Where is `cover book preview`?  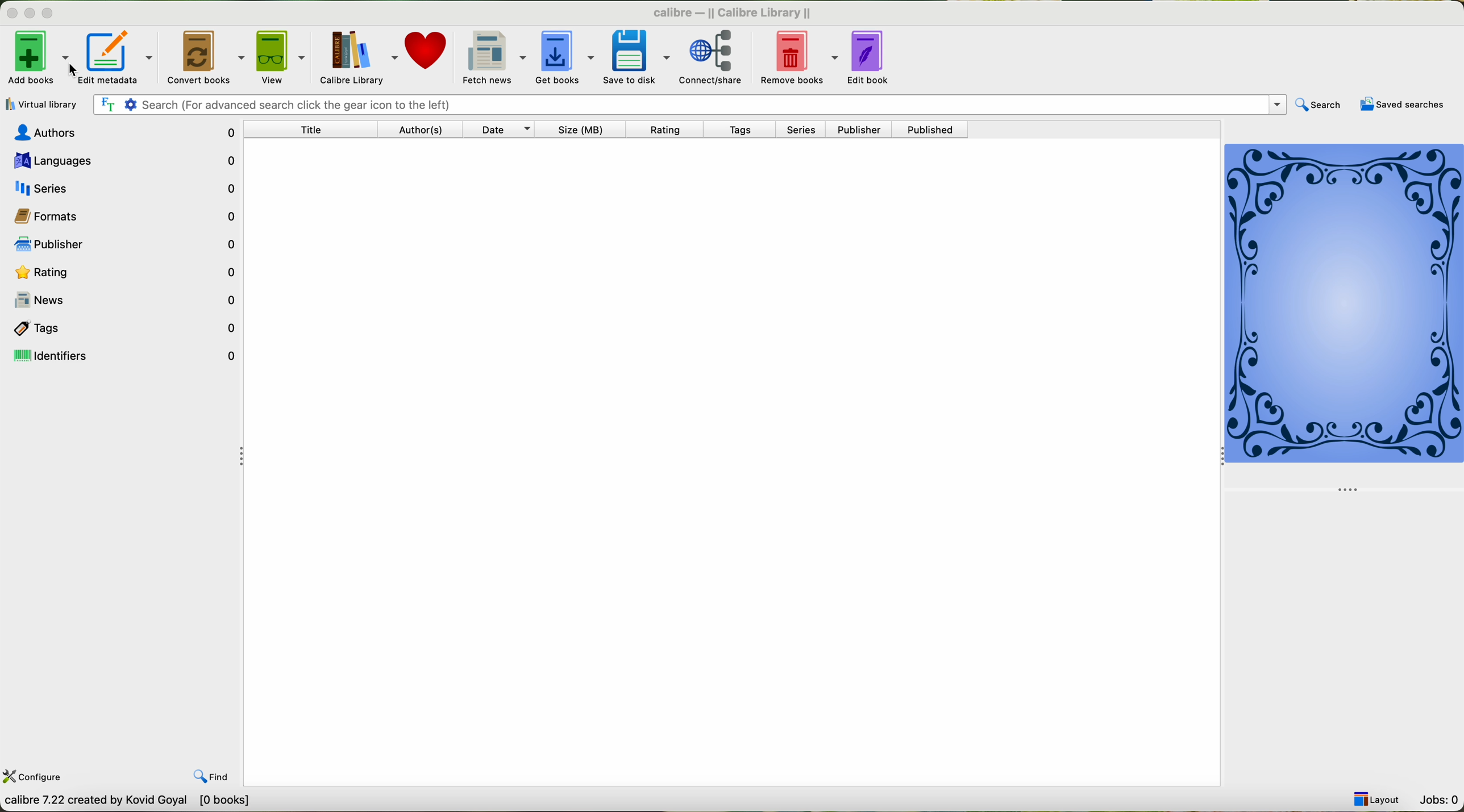
cover book preview is located at coordinates (1345, 316).